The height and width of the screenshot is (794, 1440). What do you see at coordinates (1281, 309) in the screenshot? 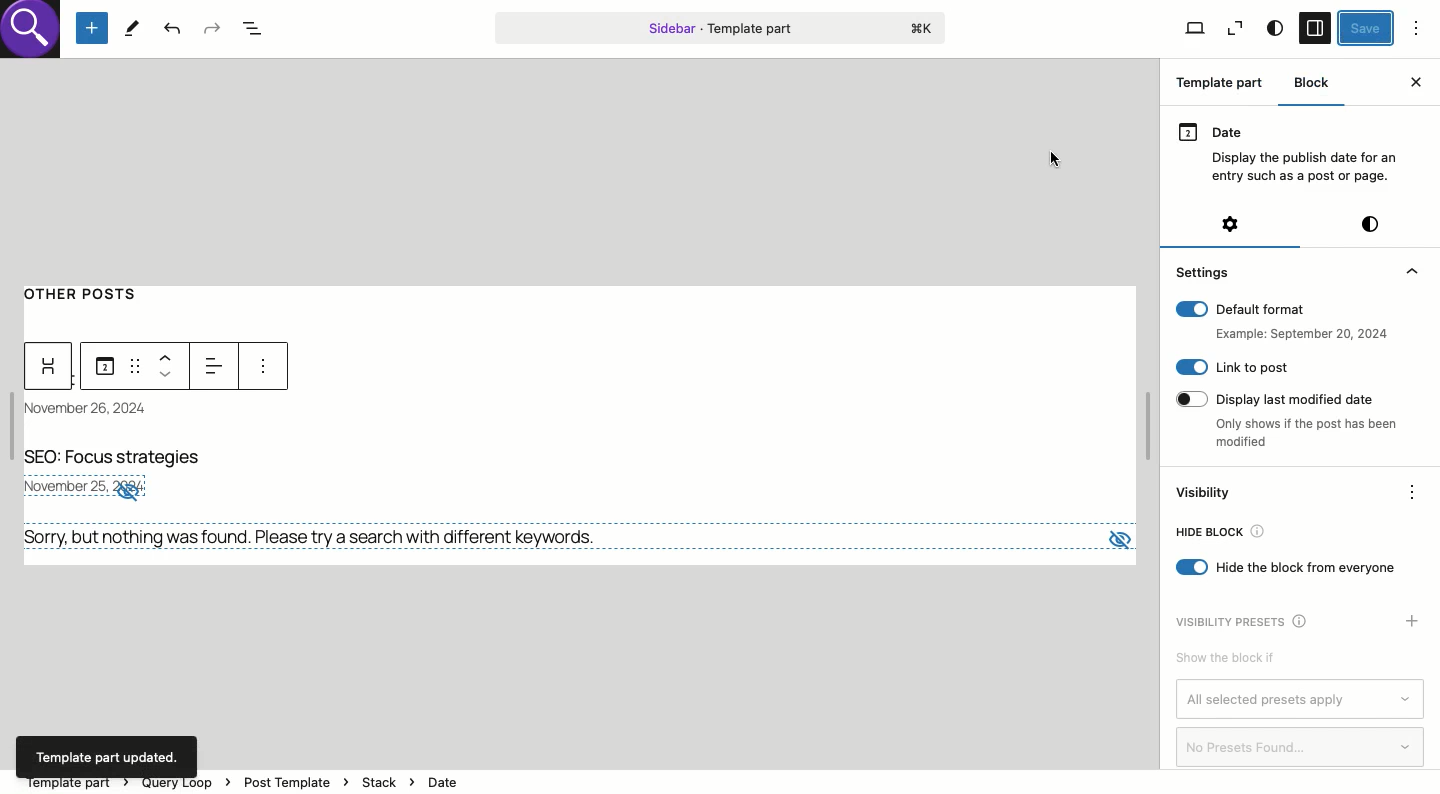
I see `Default format` at bounding box center [1281, 309].